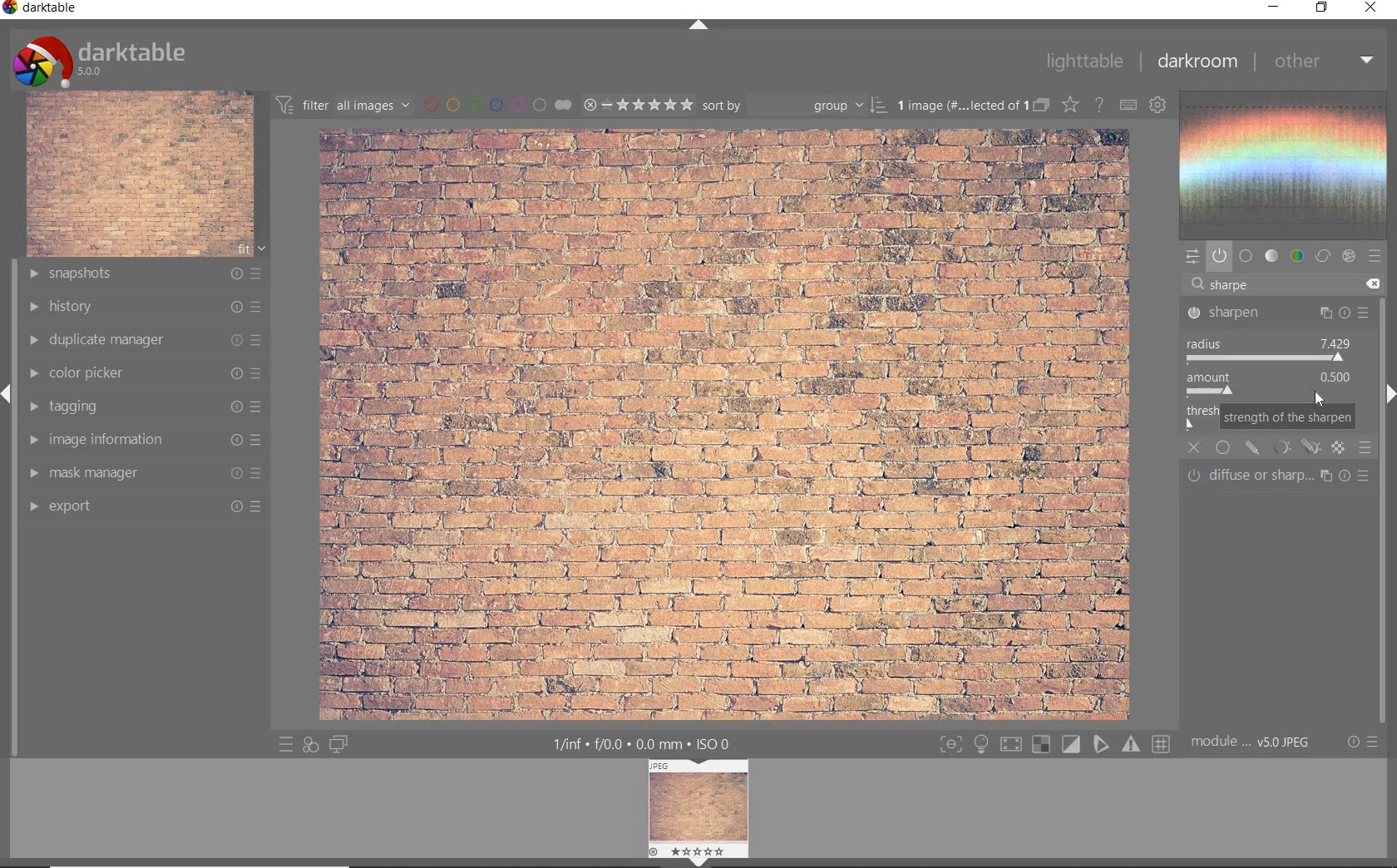 The height and width of the screenshot is (868, 1397). What do you see at coordinates (1325, 62) in the screenshot?
I see `other` at bounding box center [1325, 62].